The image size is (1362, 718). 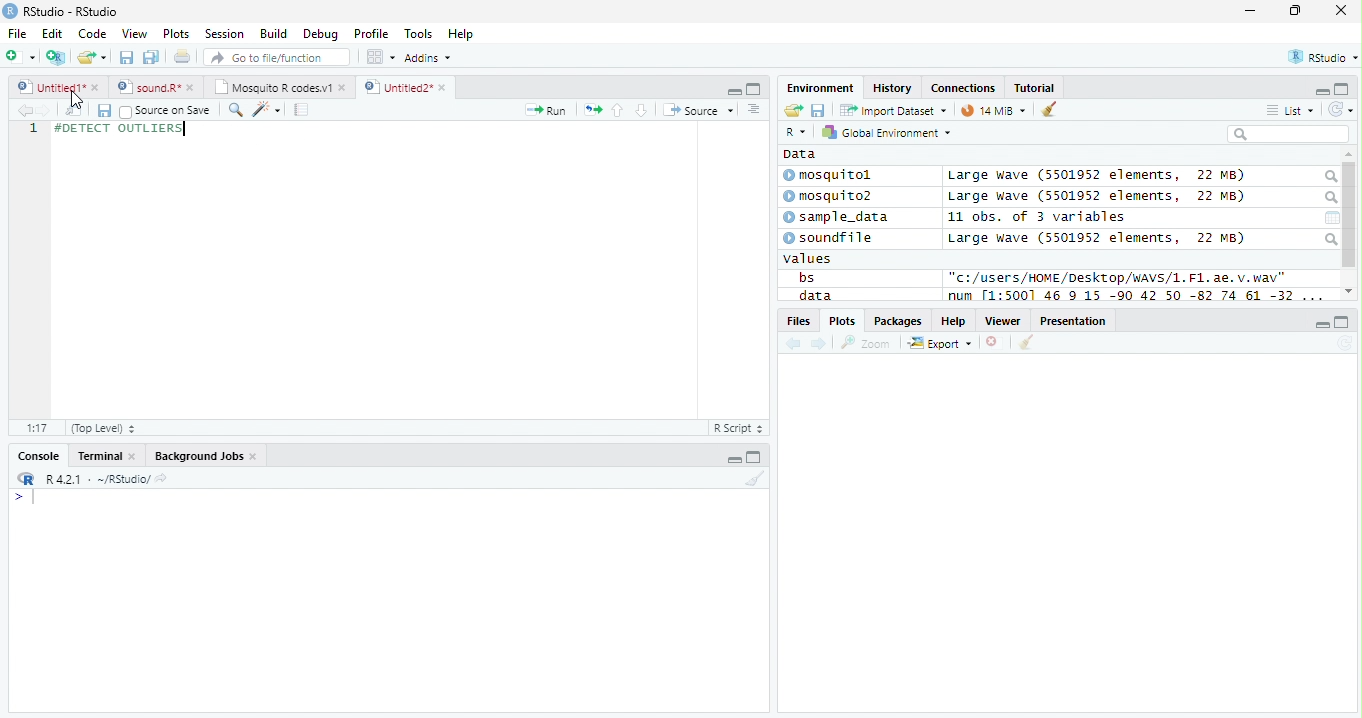 What do you see at coordinates (371, 33) in the screenshot?
I see `Profile` at bounding box center [371, 33].